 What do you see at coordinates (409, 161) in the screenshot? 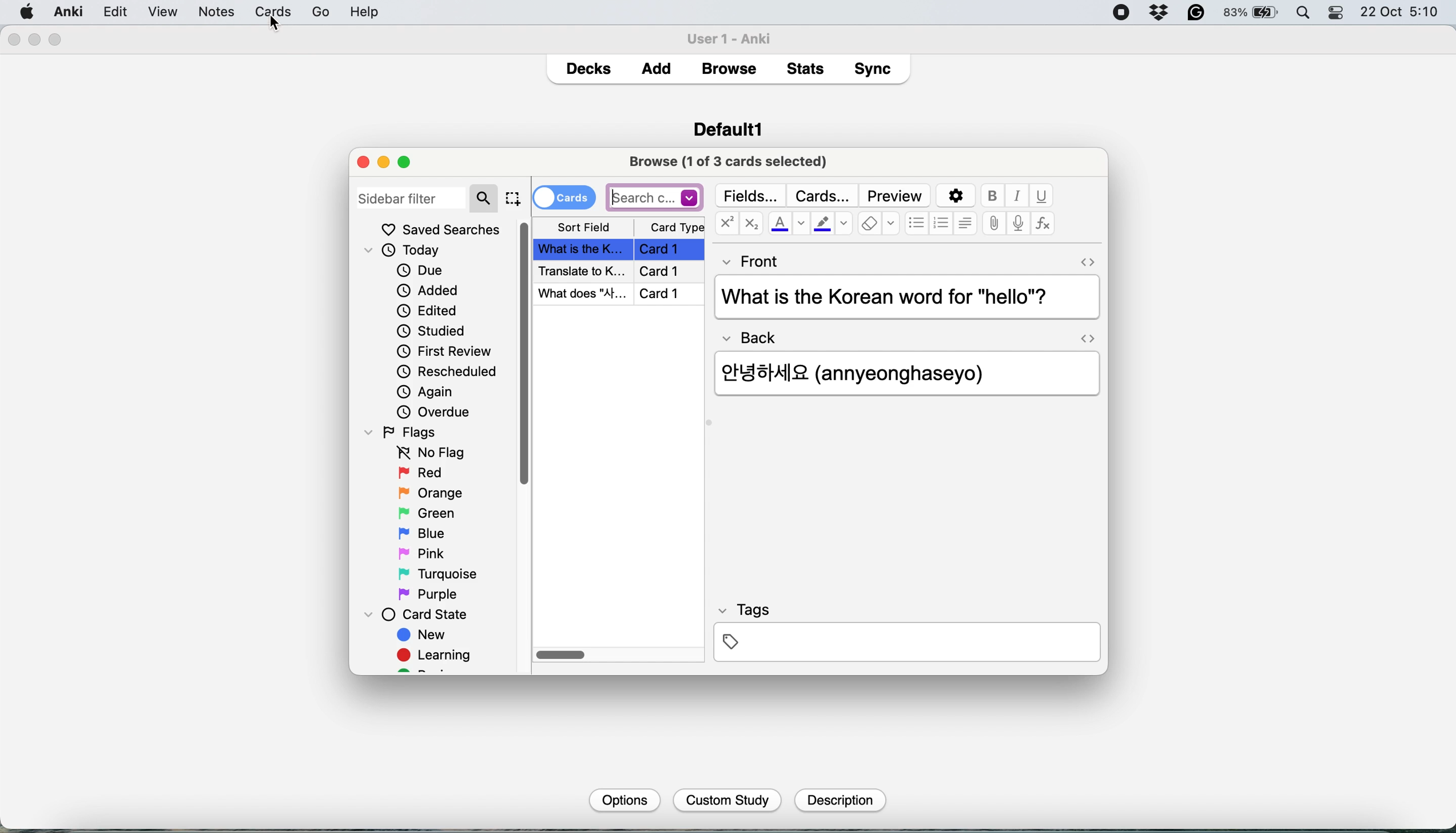
I see `maximise` at bounding box center [409, 161].